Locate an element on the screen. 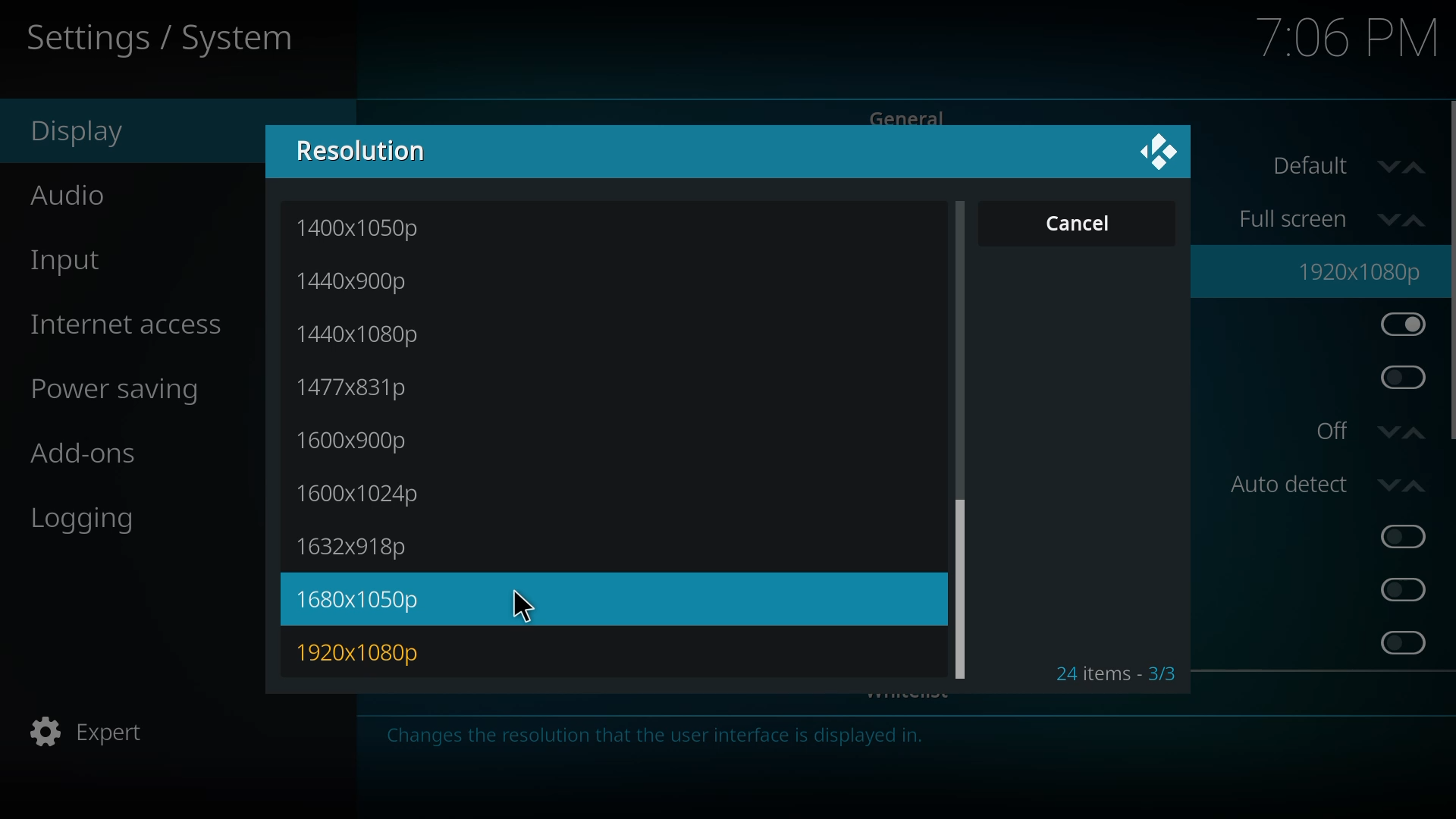  1920 is located at coordinates (364, 651).